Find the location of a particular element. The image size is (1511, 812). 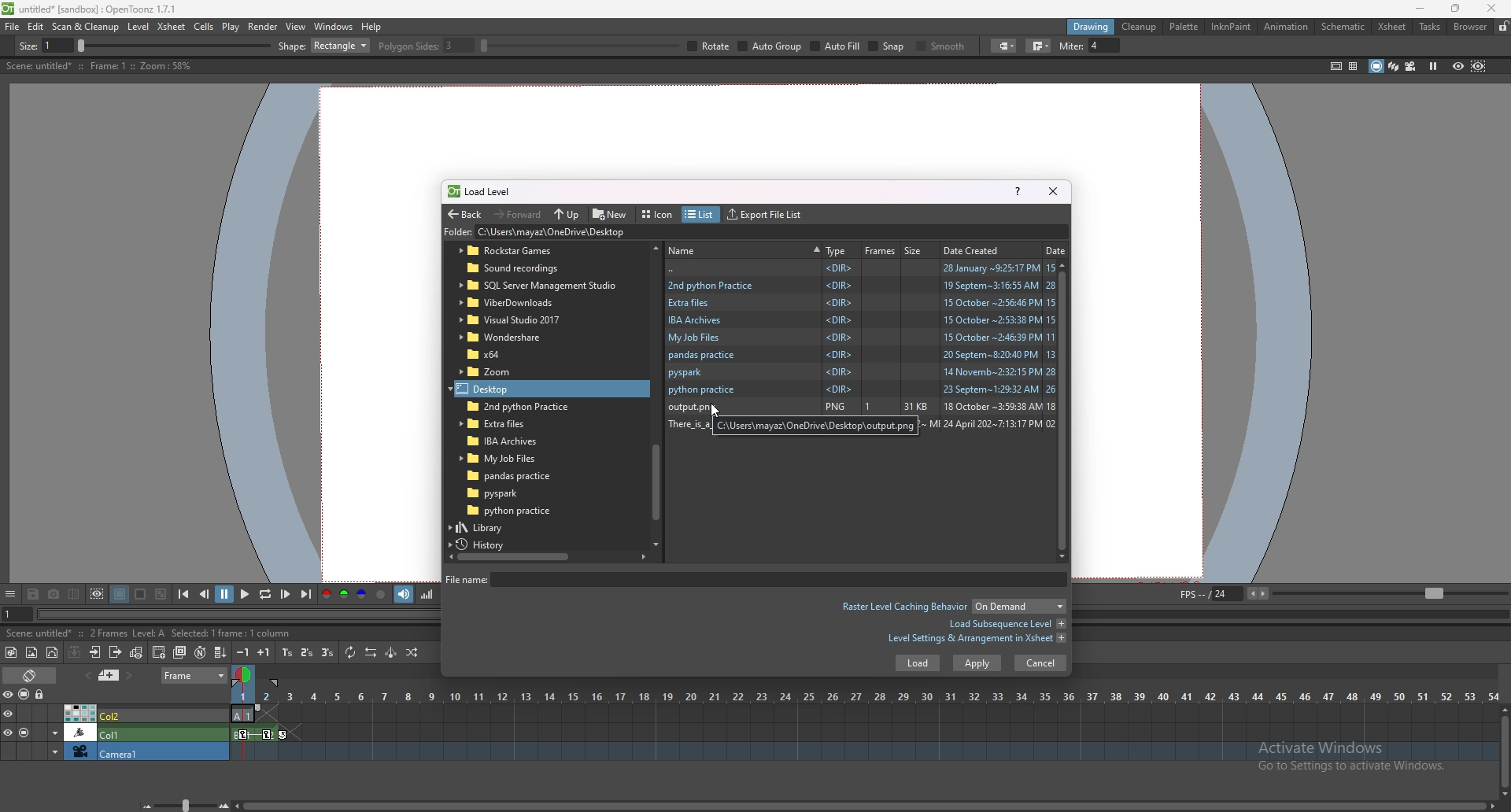

back is located at coordinates (862, 268).